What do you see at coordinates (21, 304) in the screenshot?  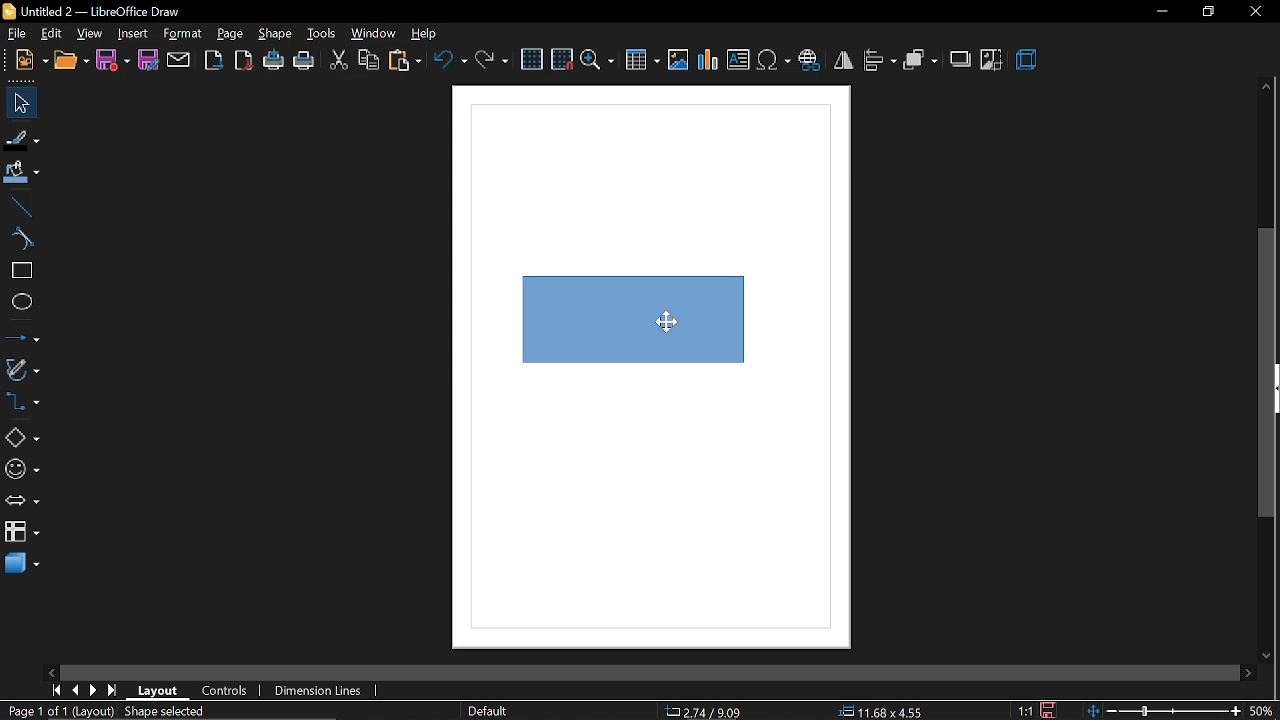 I see `ellipse` at bounding box center [21, 304].